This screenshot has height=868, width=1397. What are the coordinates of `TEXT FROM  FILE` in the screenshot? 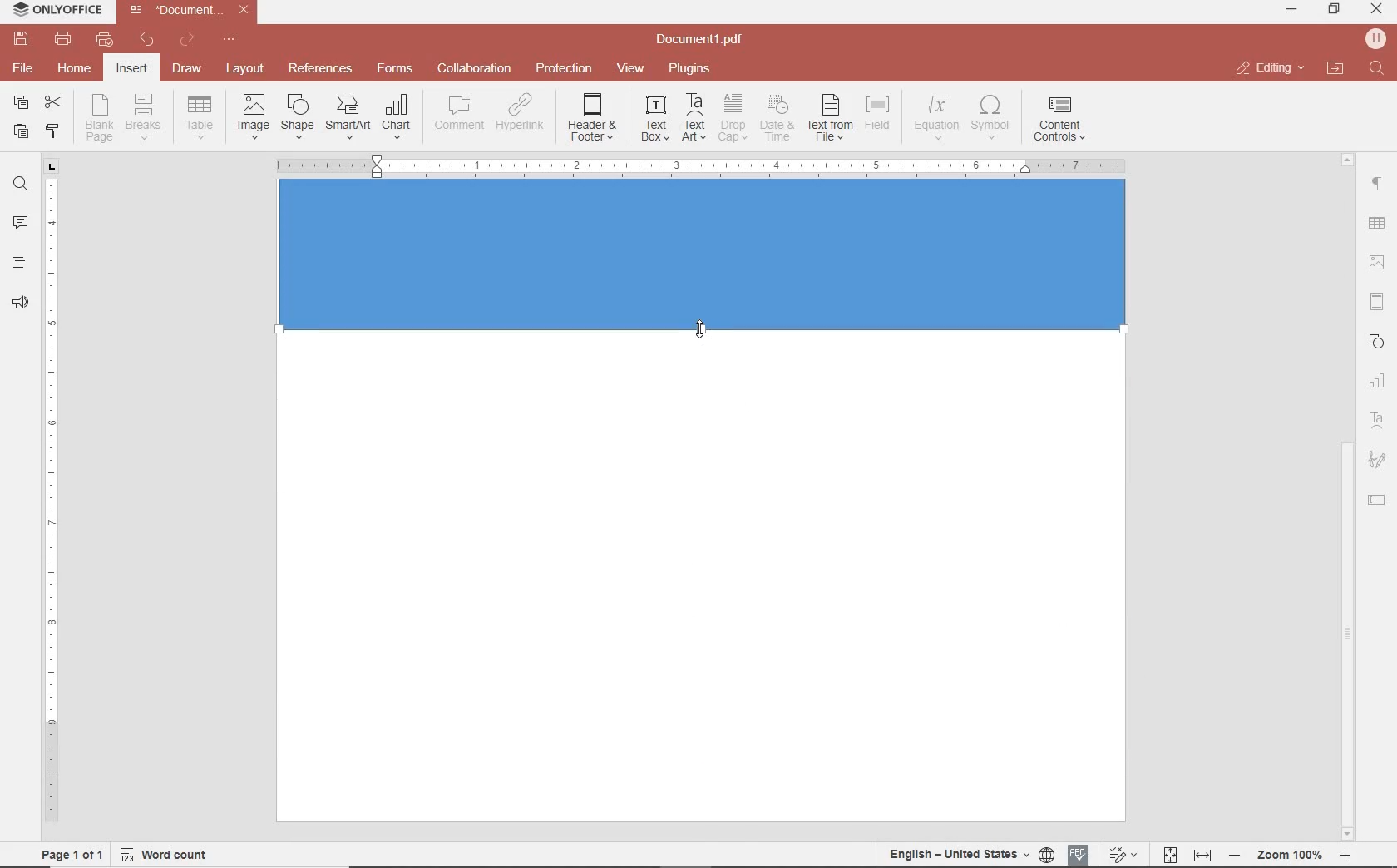 It's located at (830, 118).